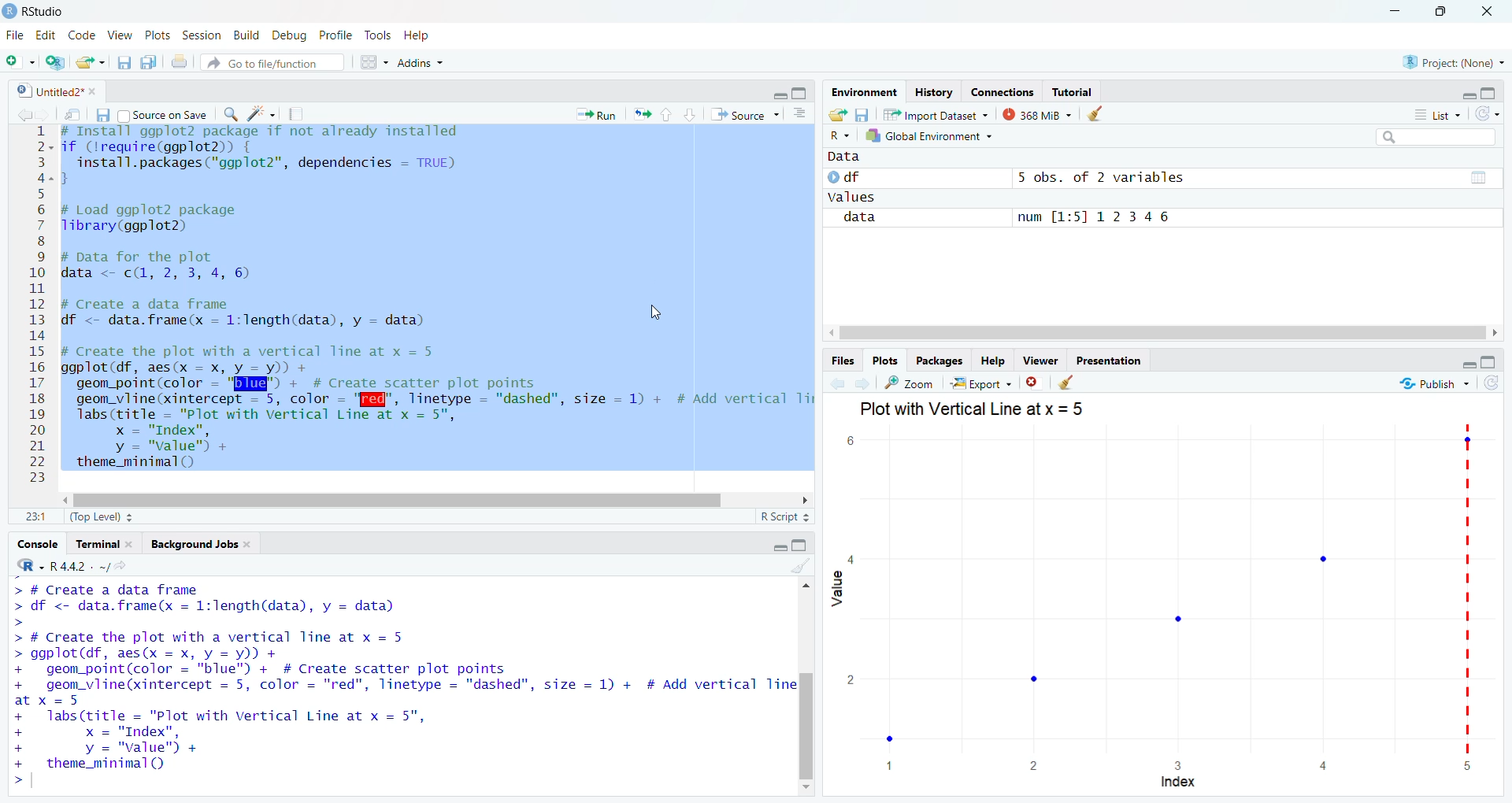 This screenshot has width=1512, height=803. What do you see at coordinates (1467, 364) in the screenshot?
I see `minimise` at bounding box center [1467, 364].